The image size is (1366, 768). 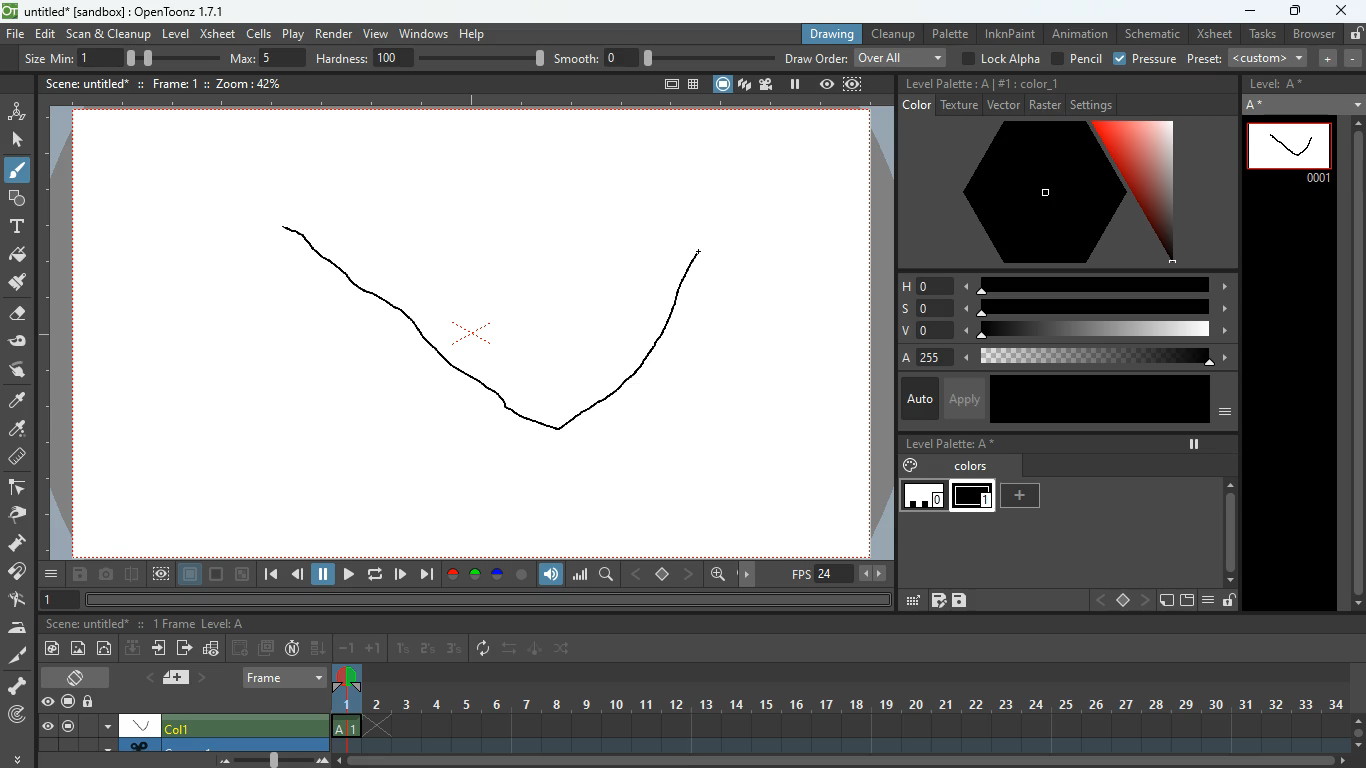 I want to click on pump, so click(x=17, y=544).